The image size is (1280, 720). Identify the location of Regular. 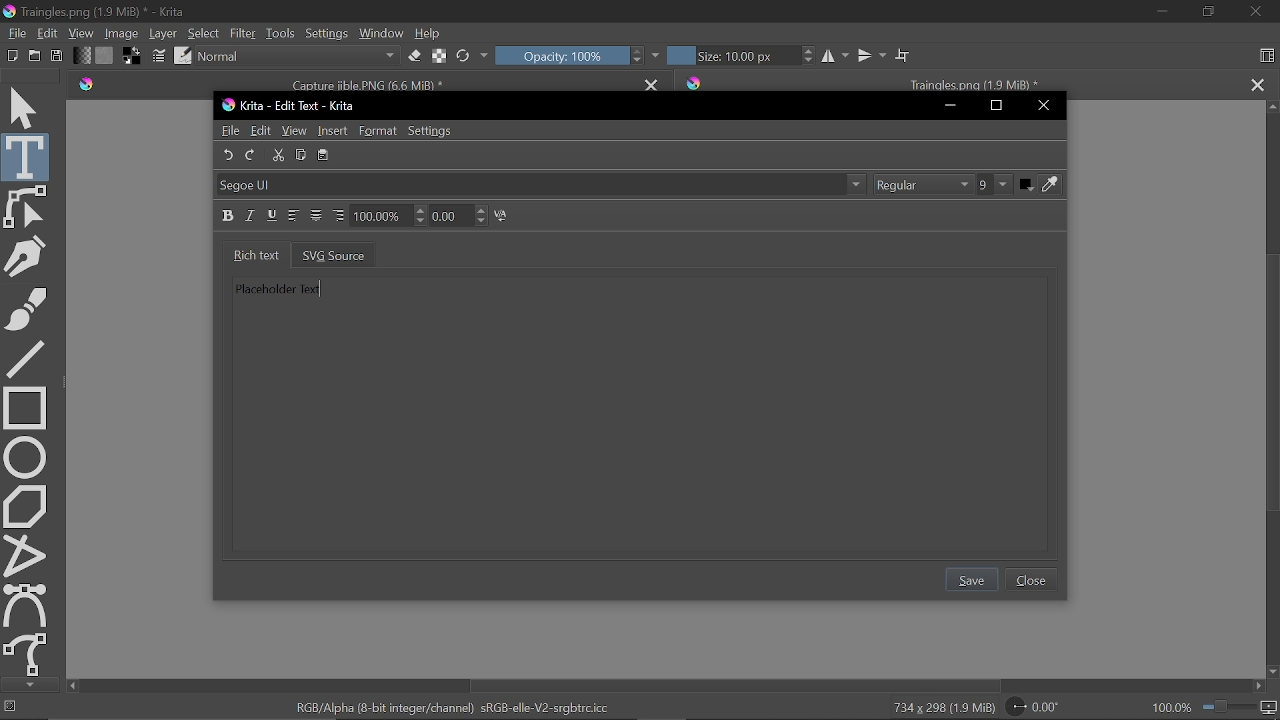
(922, 185).